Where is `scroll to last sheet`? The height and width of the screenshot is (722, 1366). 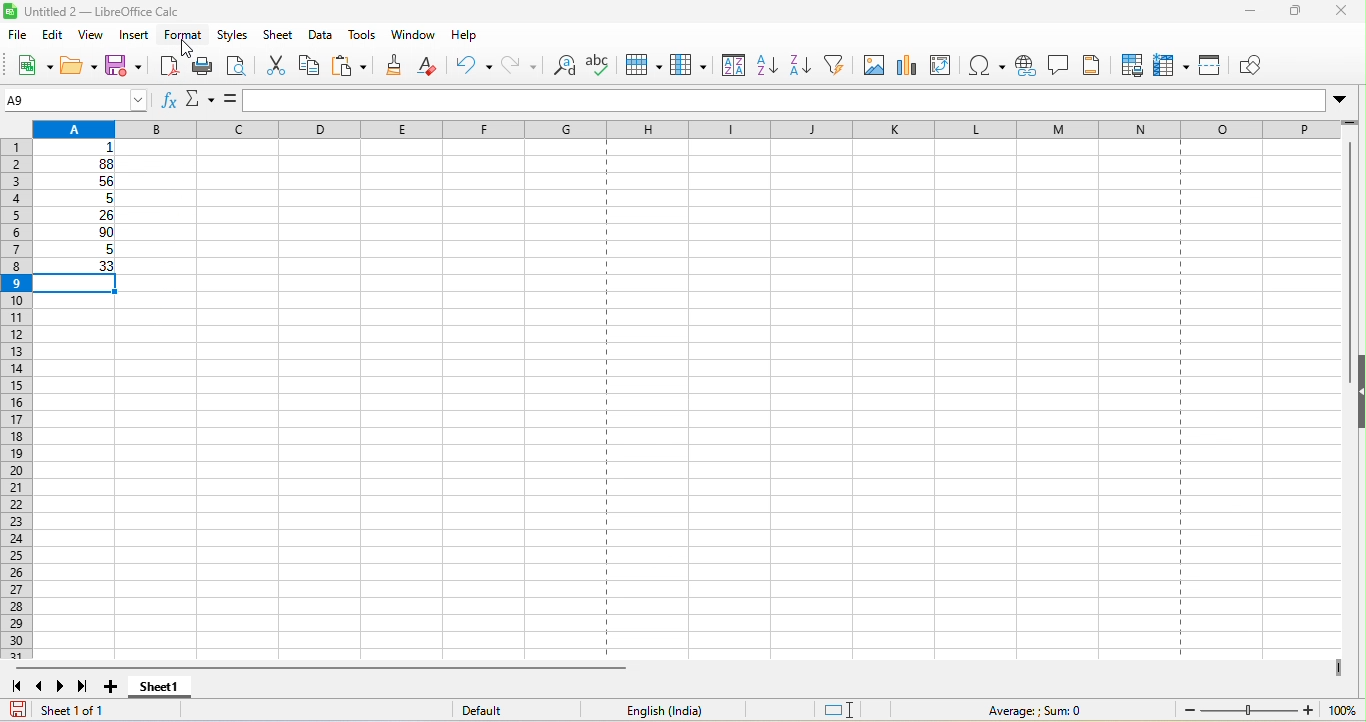 scroll to last sheet is located at coordinates (88, 689).